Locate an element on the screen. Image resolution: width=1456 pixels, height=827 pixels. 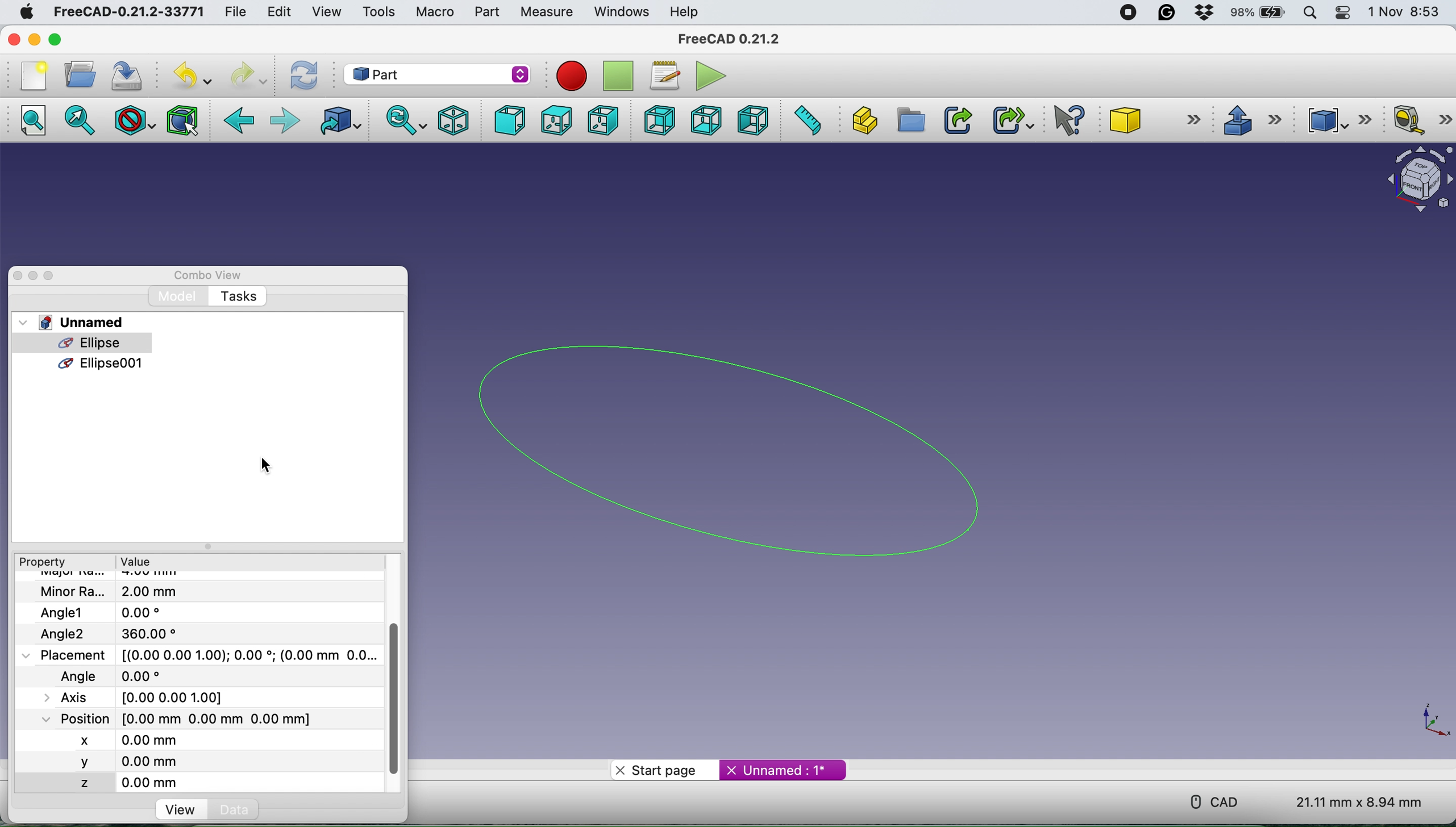
z is located at coordinates (117, 781).